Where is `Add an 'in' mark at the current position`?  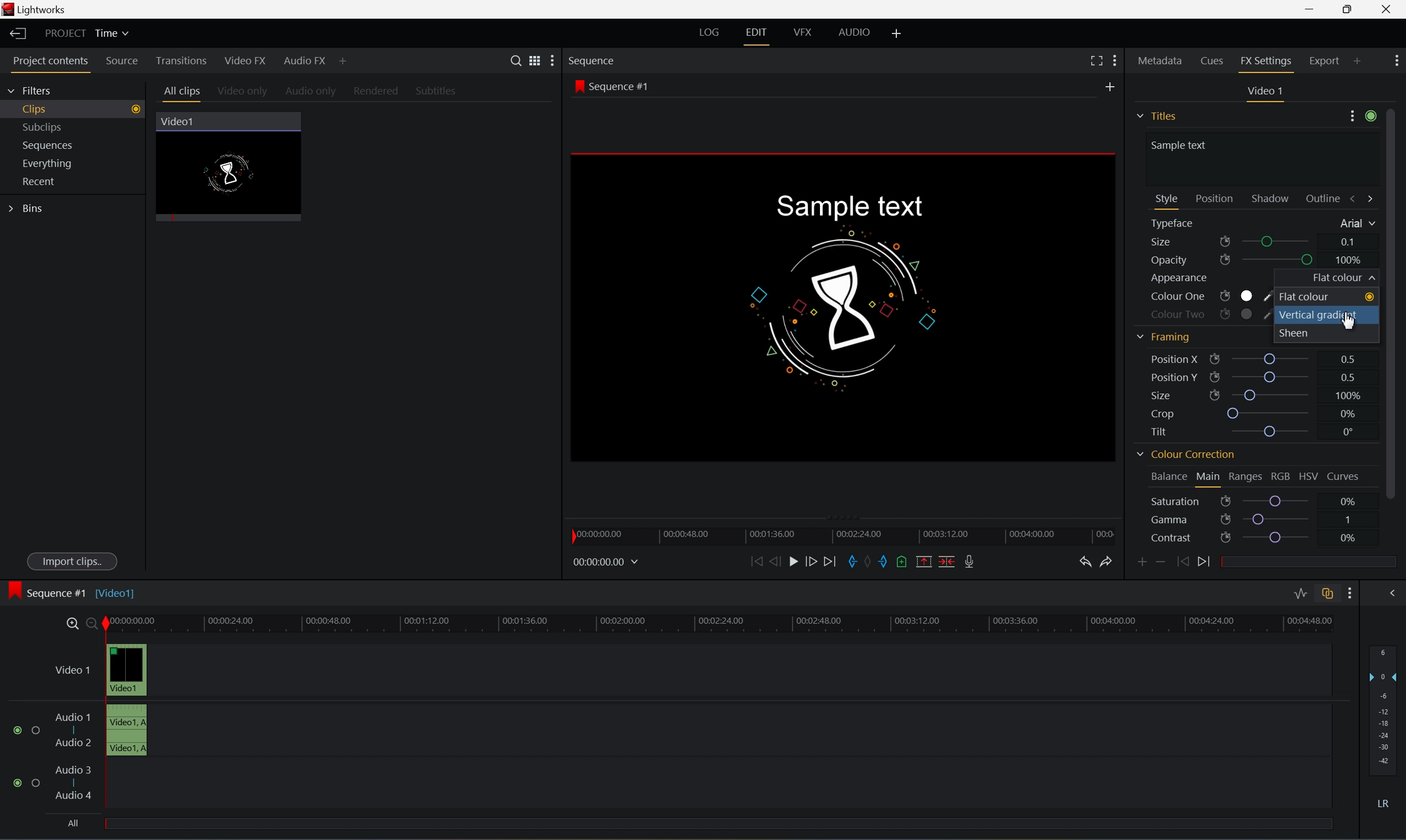 Add an 'in' mark at the current position is located at coordinates (853, 562).